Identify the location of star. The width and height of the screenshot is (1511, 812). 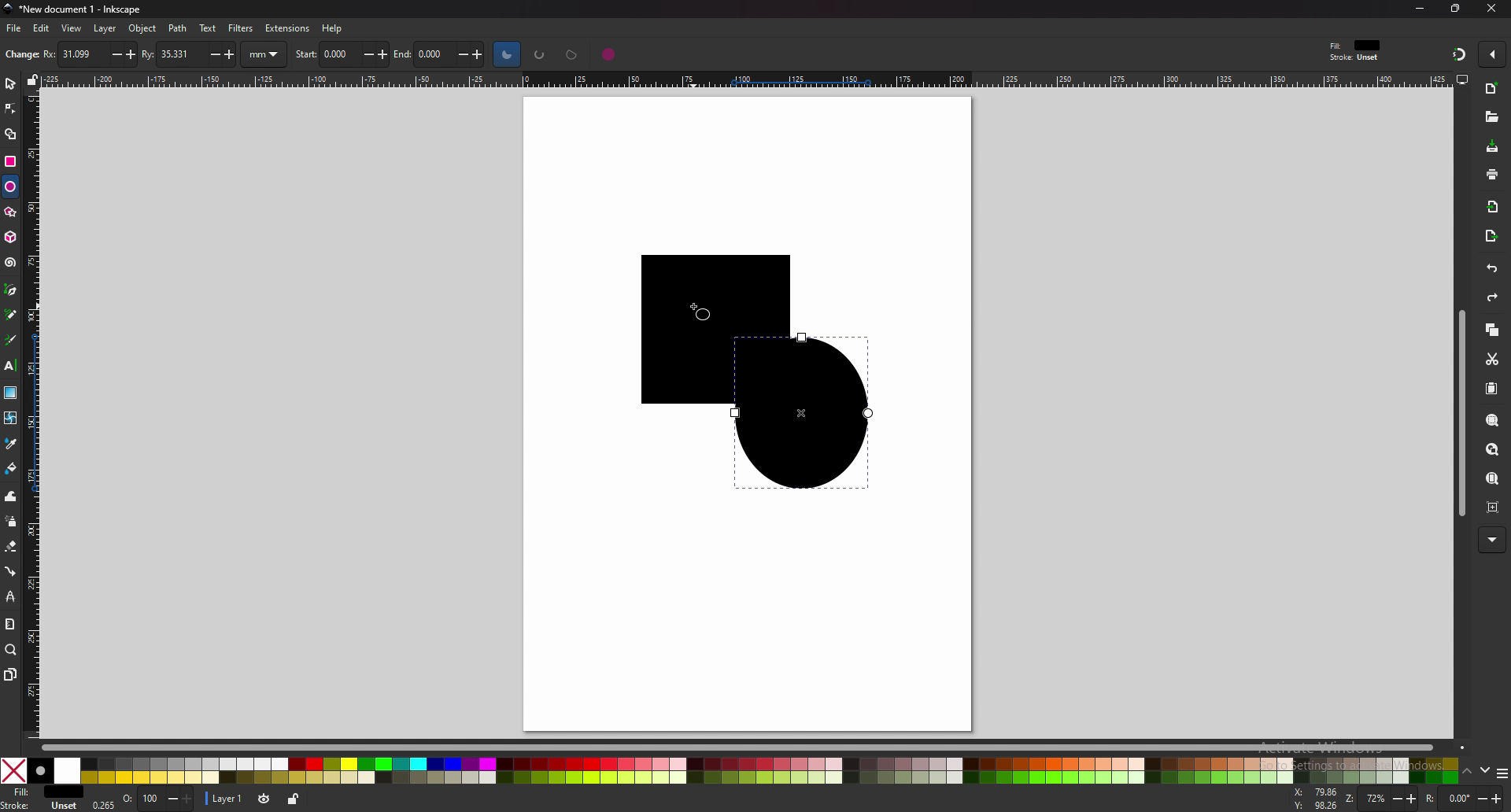
(10, 212).